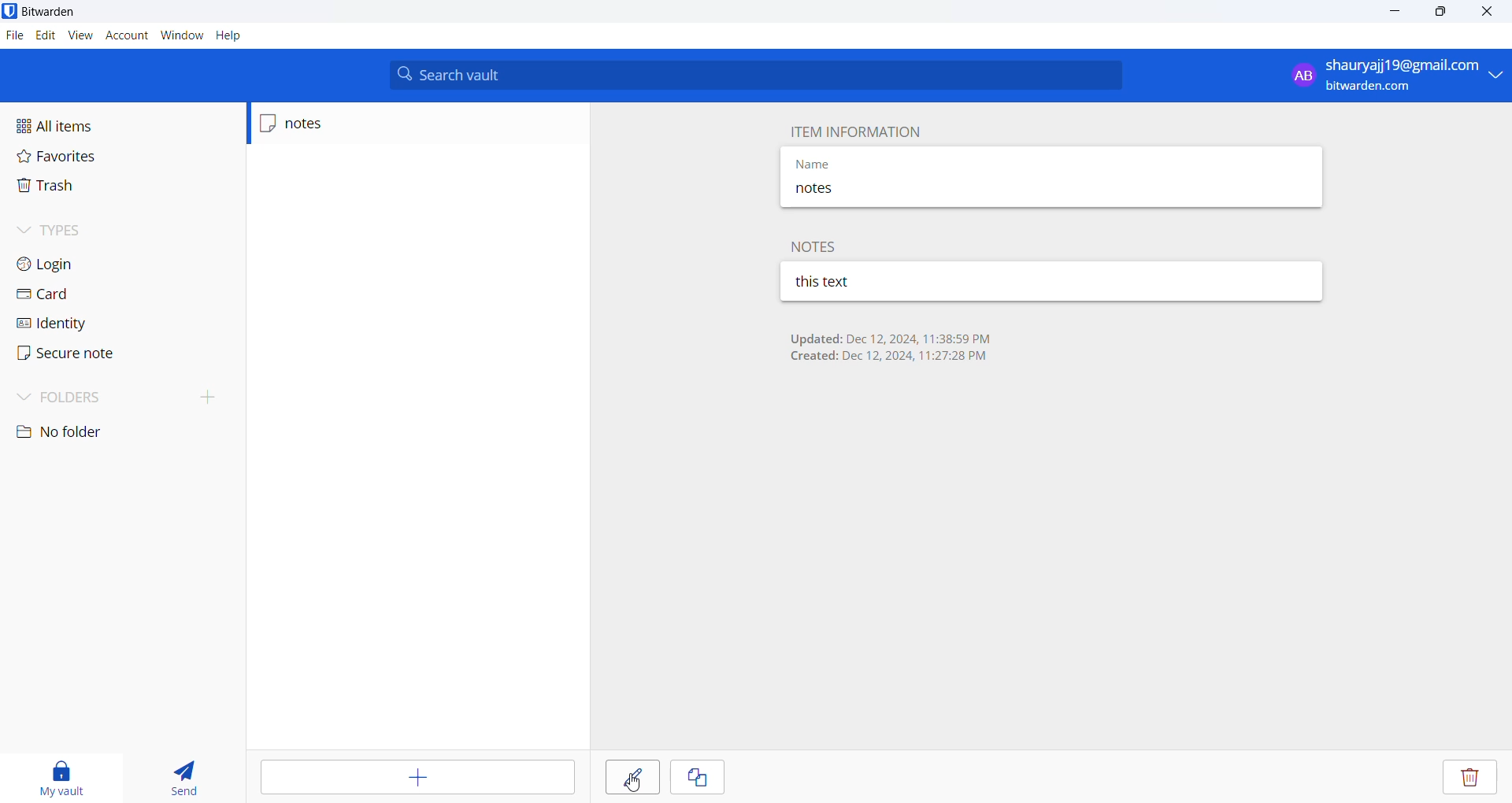 The width and height of the screenshot is (1512, 803). I want to click on name, so click(875, 161).